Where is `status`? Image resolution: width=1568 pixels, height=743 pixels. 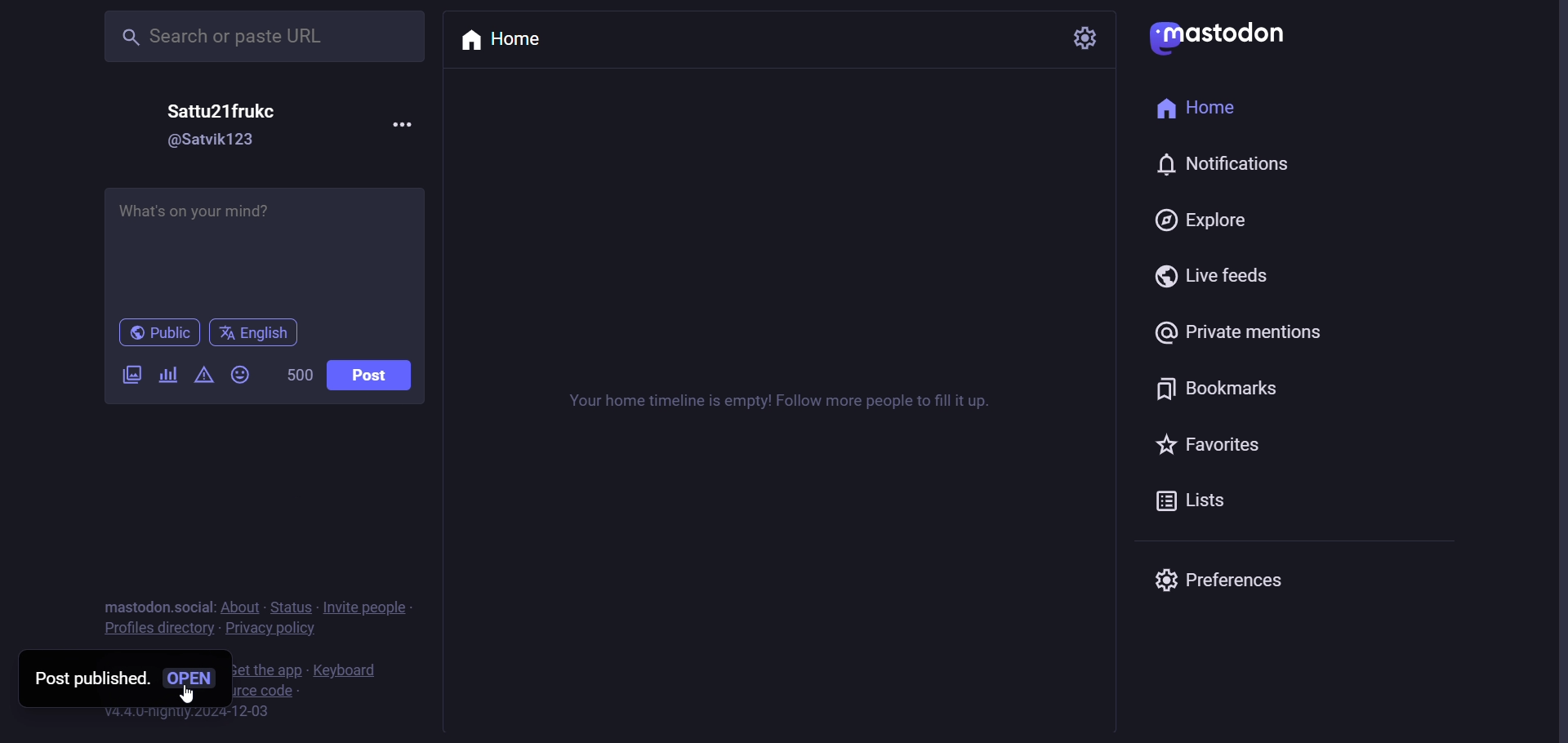 status is located at coordinates (291, 608).